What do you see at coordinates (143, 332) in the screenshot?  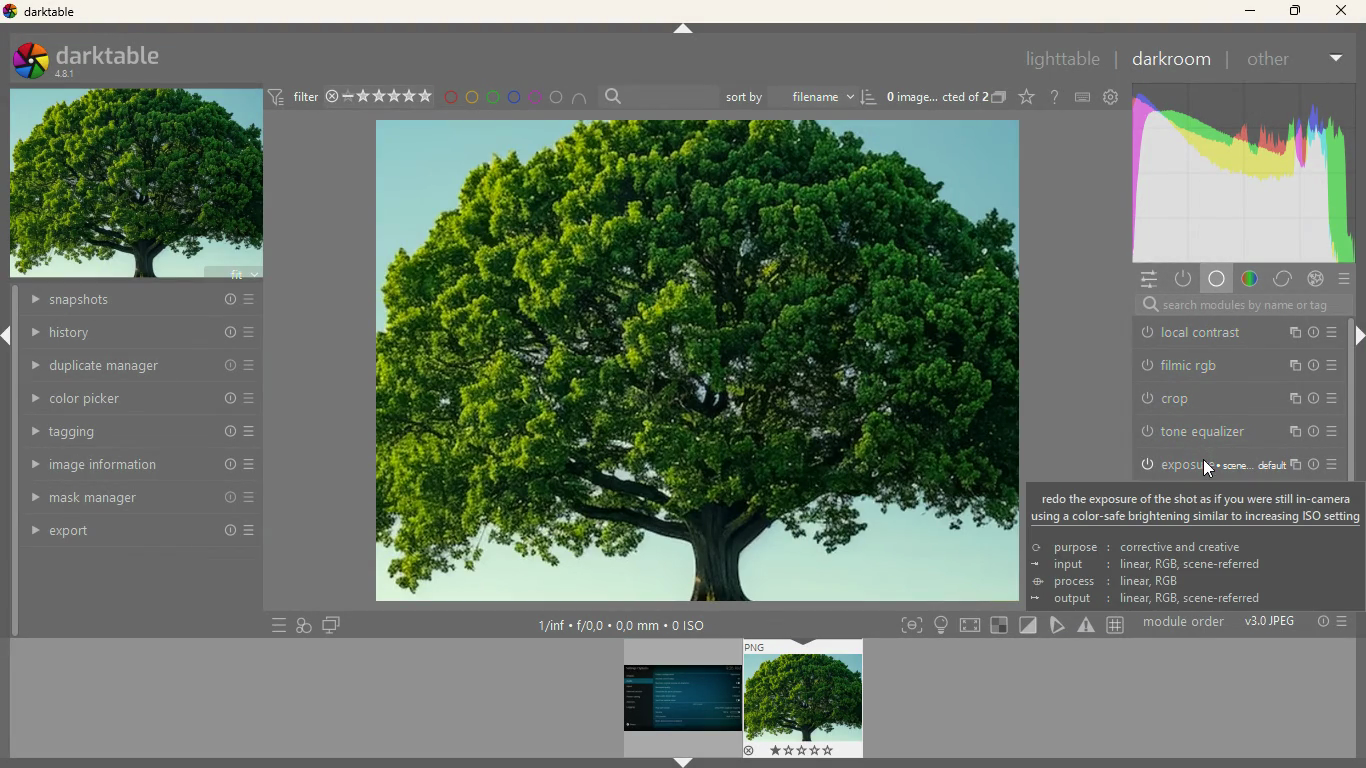 I see `history` at bounding box center [143, 332].